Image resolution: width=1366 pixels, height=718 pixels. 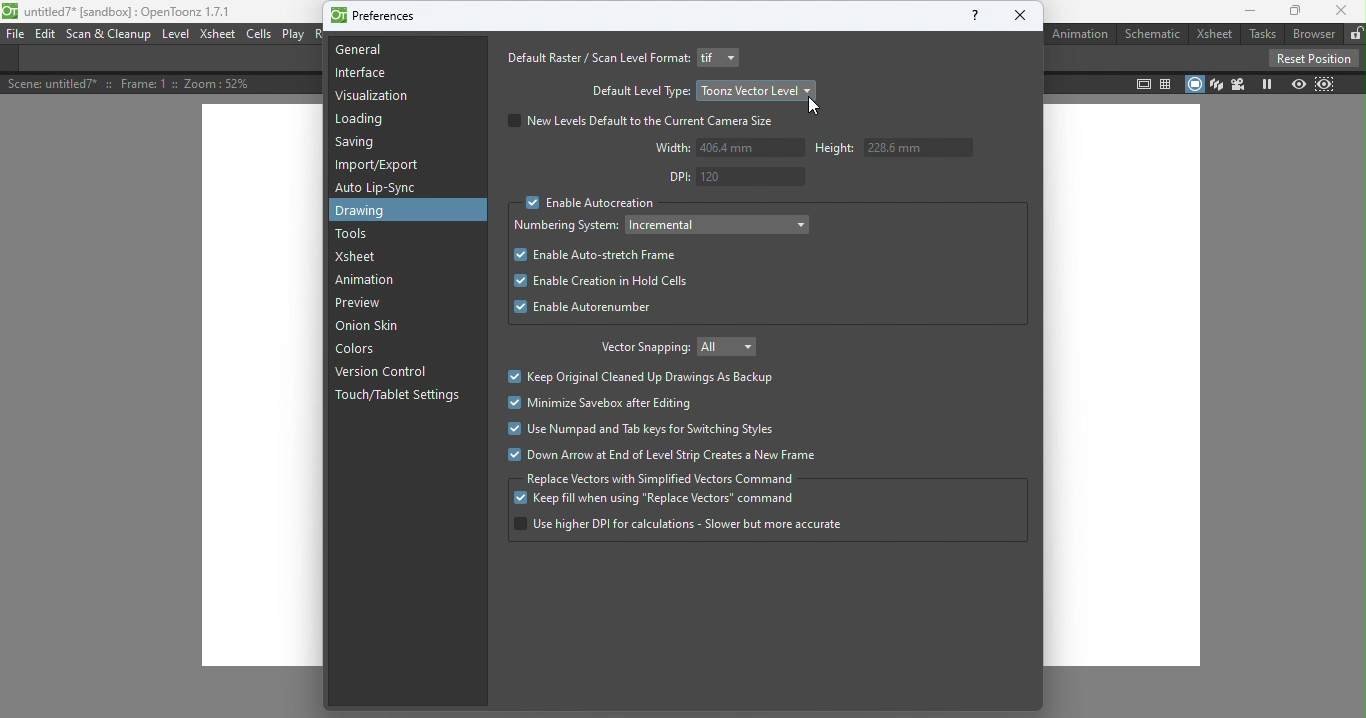 I want to click on Freeze, so click(x=1266, y=85).